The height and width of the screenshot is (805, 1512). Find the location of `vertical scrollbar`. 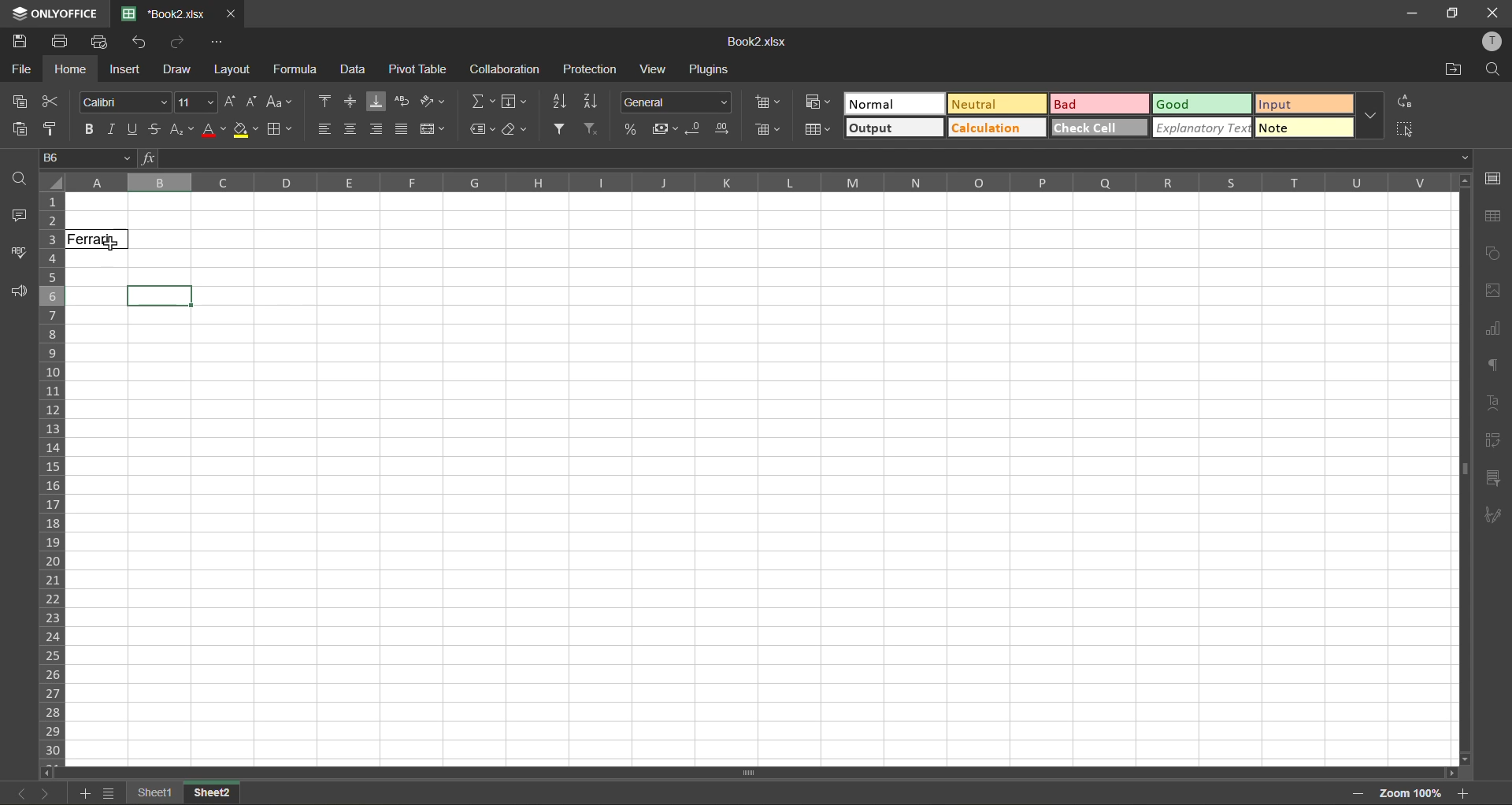

vertical scrollbar is located at coordinates (1462, 469).